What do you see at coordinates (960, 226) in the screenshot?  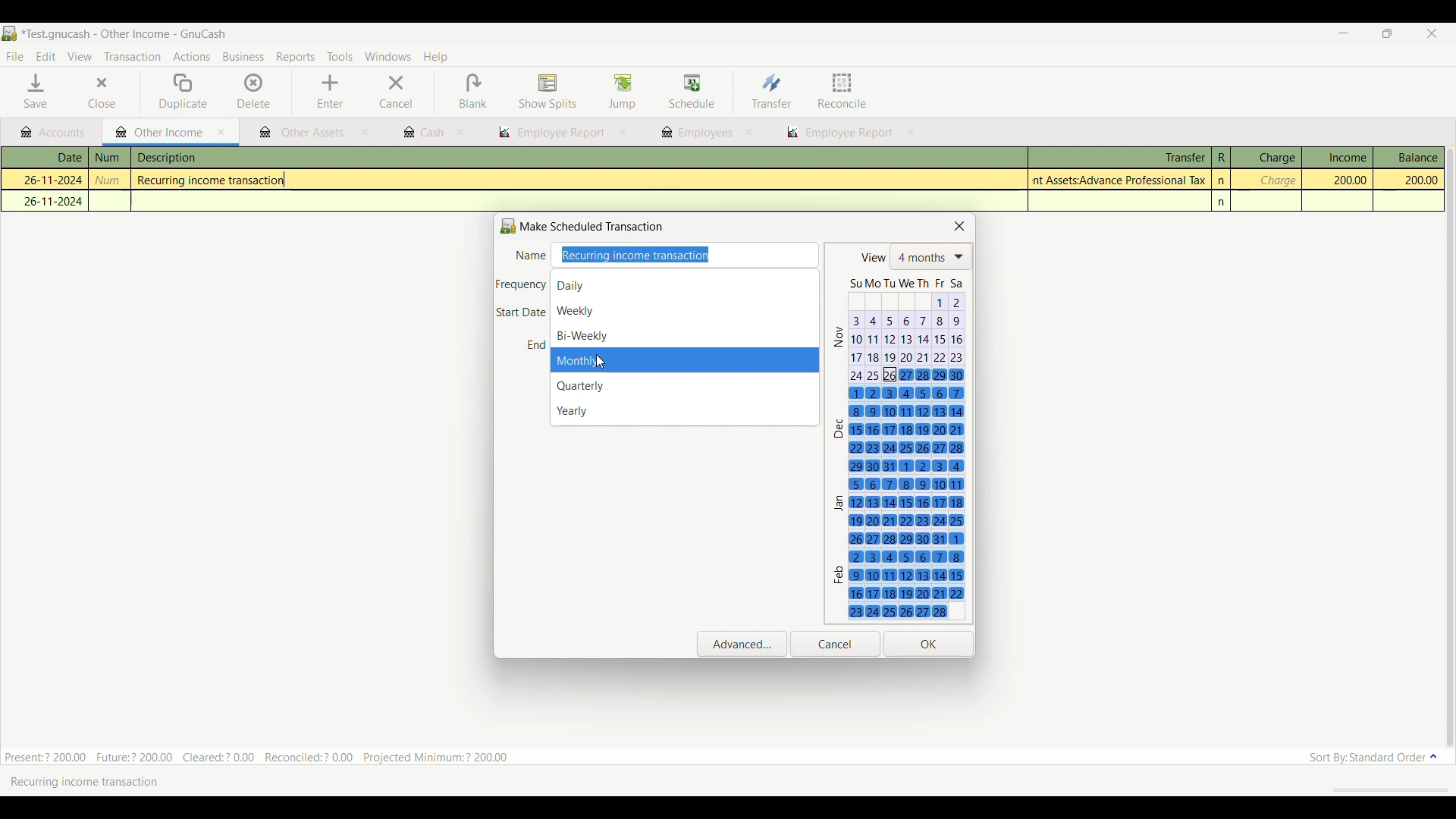 I see `Close scheduled ` at bounding box center [960, 226].